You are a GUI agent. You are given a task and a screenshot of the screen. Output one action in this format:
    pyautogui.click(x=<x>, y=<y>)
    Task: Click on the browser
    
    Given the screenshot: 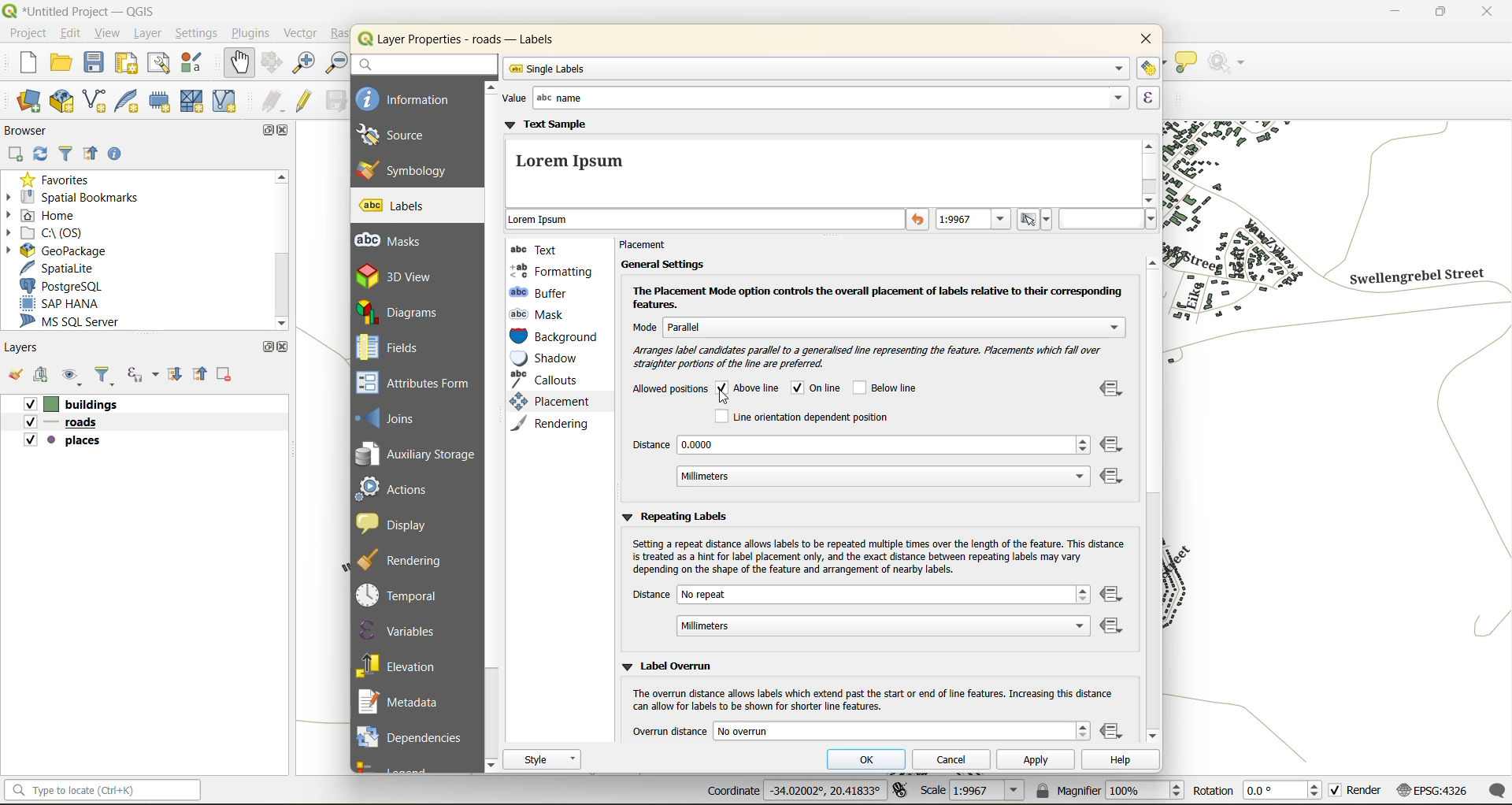 What is the action you would take?
    pyautogui.click(x=28, y=133)
    